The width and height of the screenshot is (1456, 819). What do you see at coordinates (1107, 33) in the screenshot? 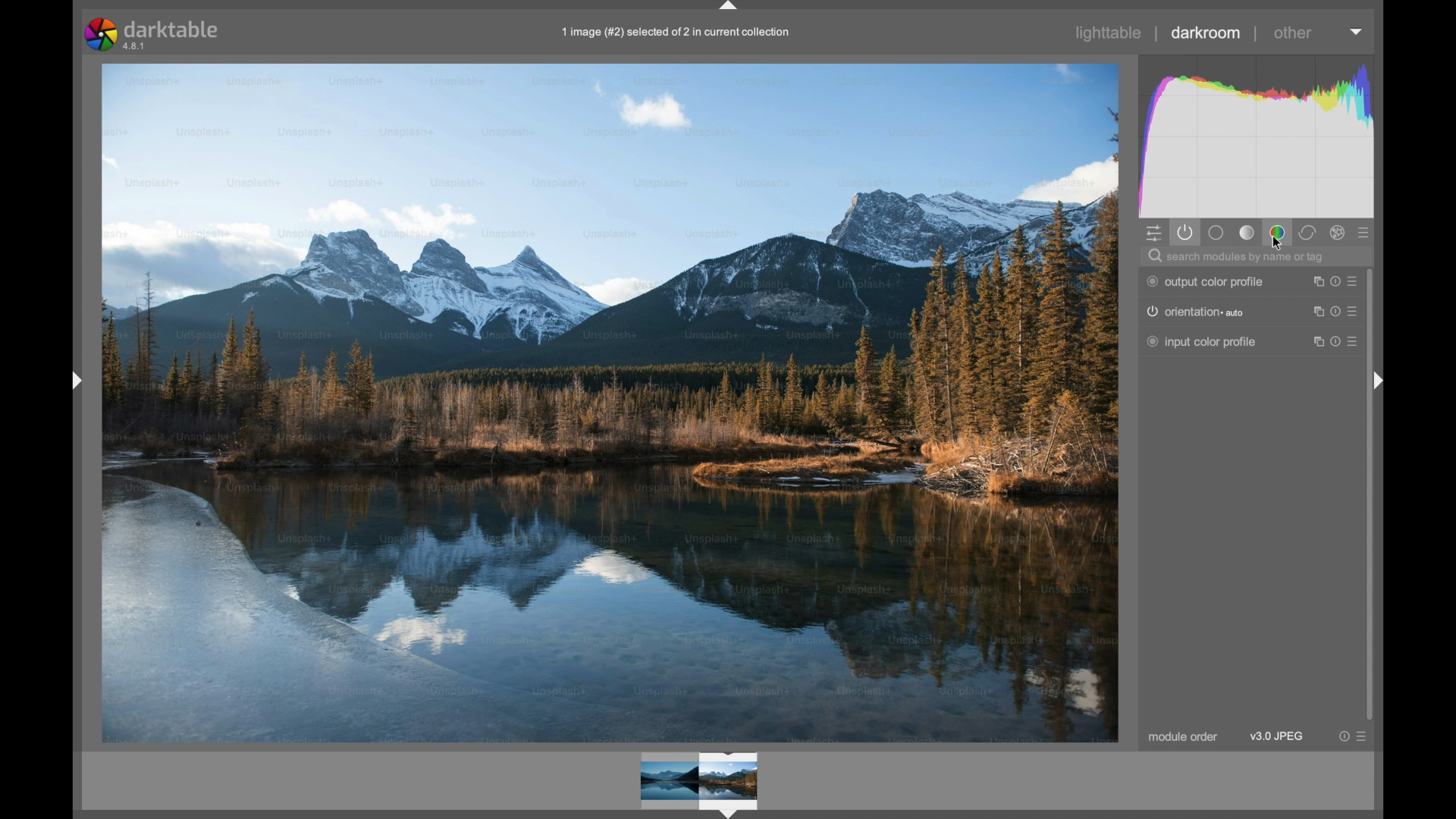
I see `lighttable` at bounding box center [1107, 33].